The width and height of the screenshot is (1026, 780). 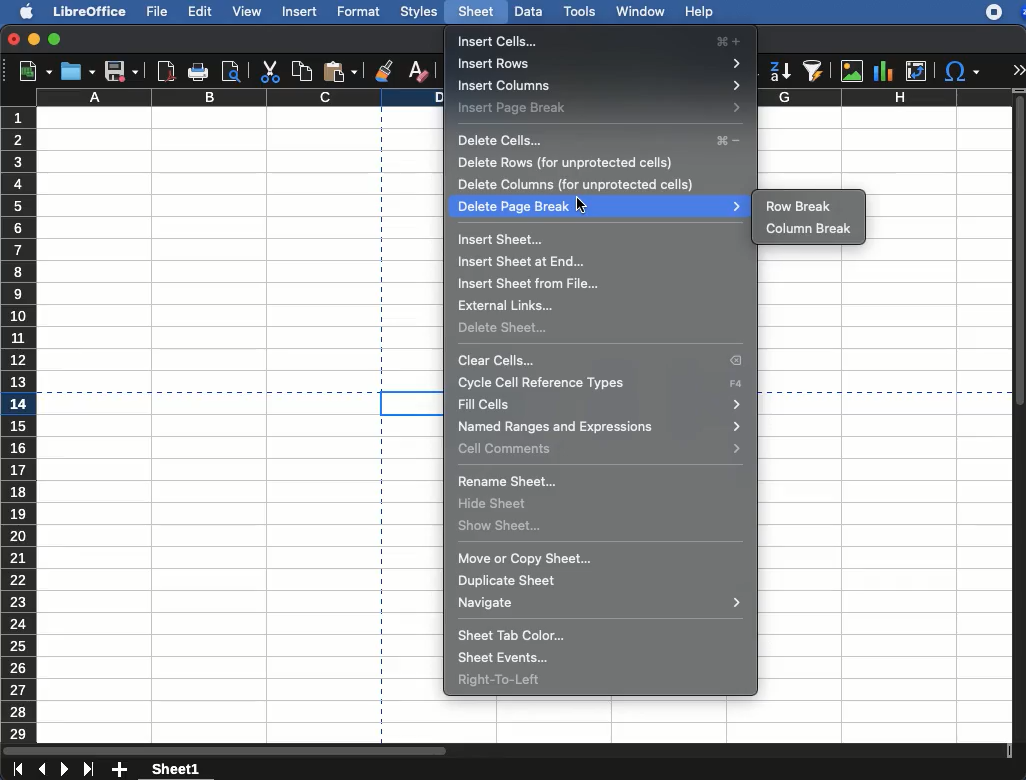 What do you see at coordinates (385, 70) in the screenshot?
I see `clone formatting` at bounding box center [385, 70].